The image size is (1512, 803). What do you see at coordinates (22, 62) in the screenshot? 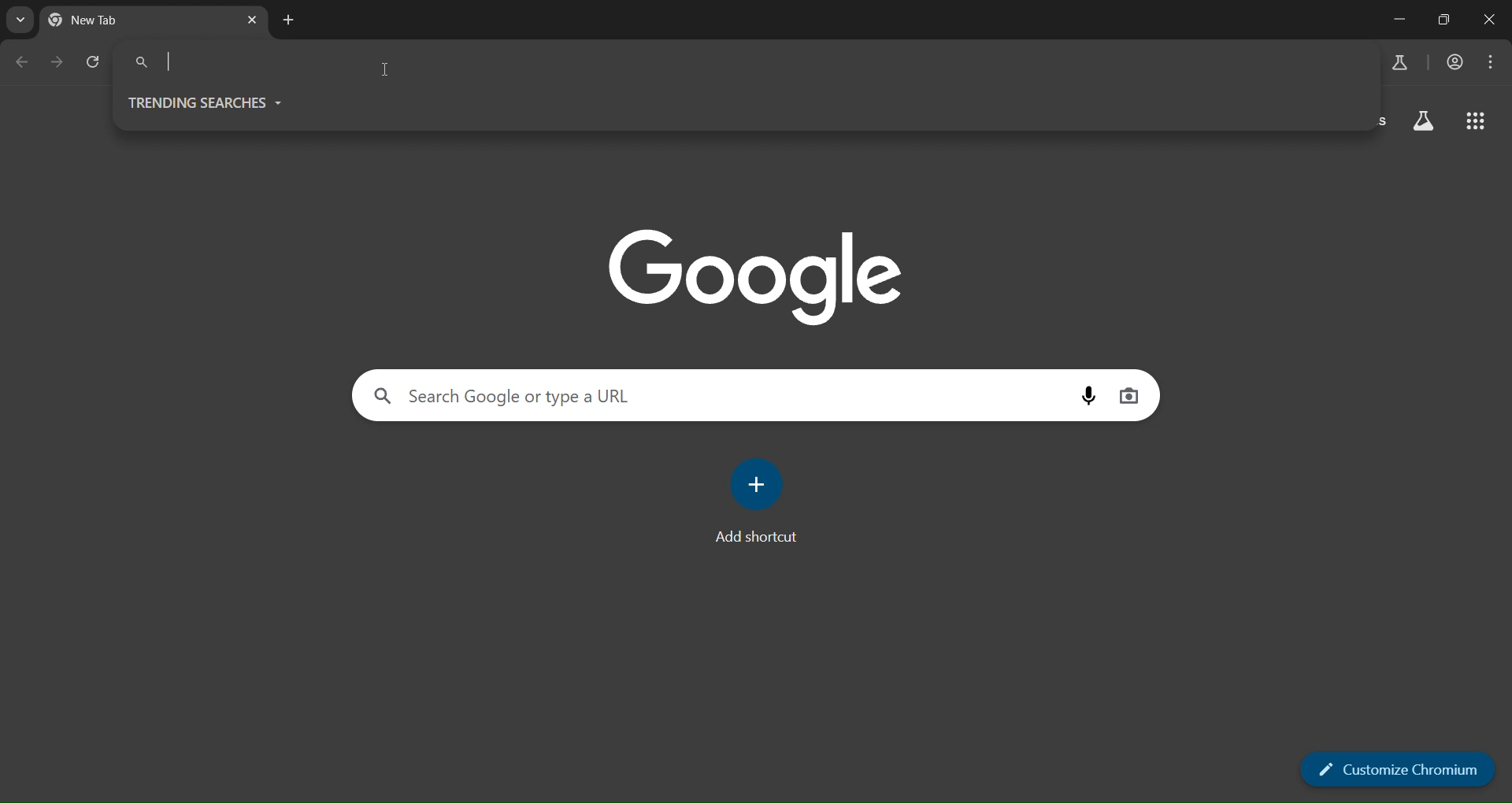
I see `go back one page` at bounding box center [22, 62].